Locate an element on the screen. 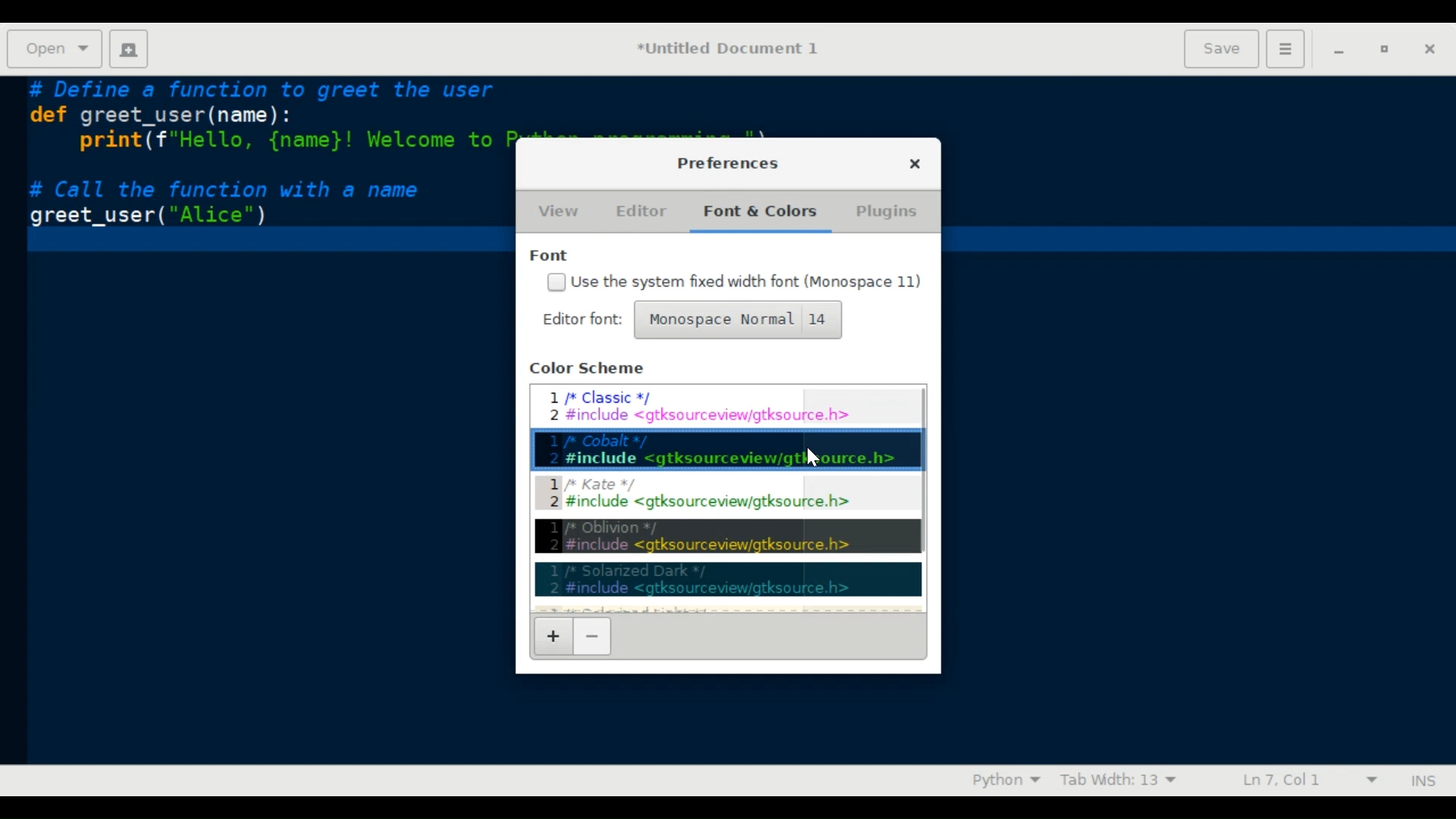 The height and width of the screenshot is (819, 1456). Cursor is located at coordinates (814, 456).